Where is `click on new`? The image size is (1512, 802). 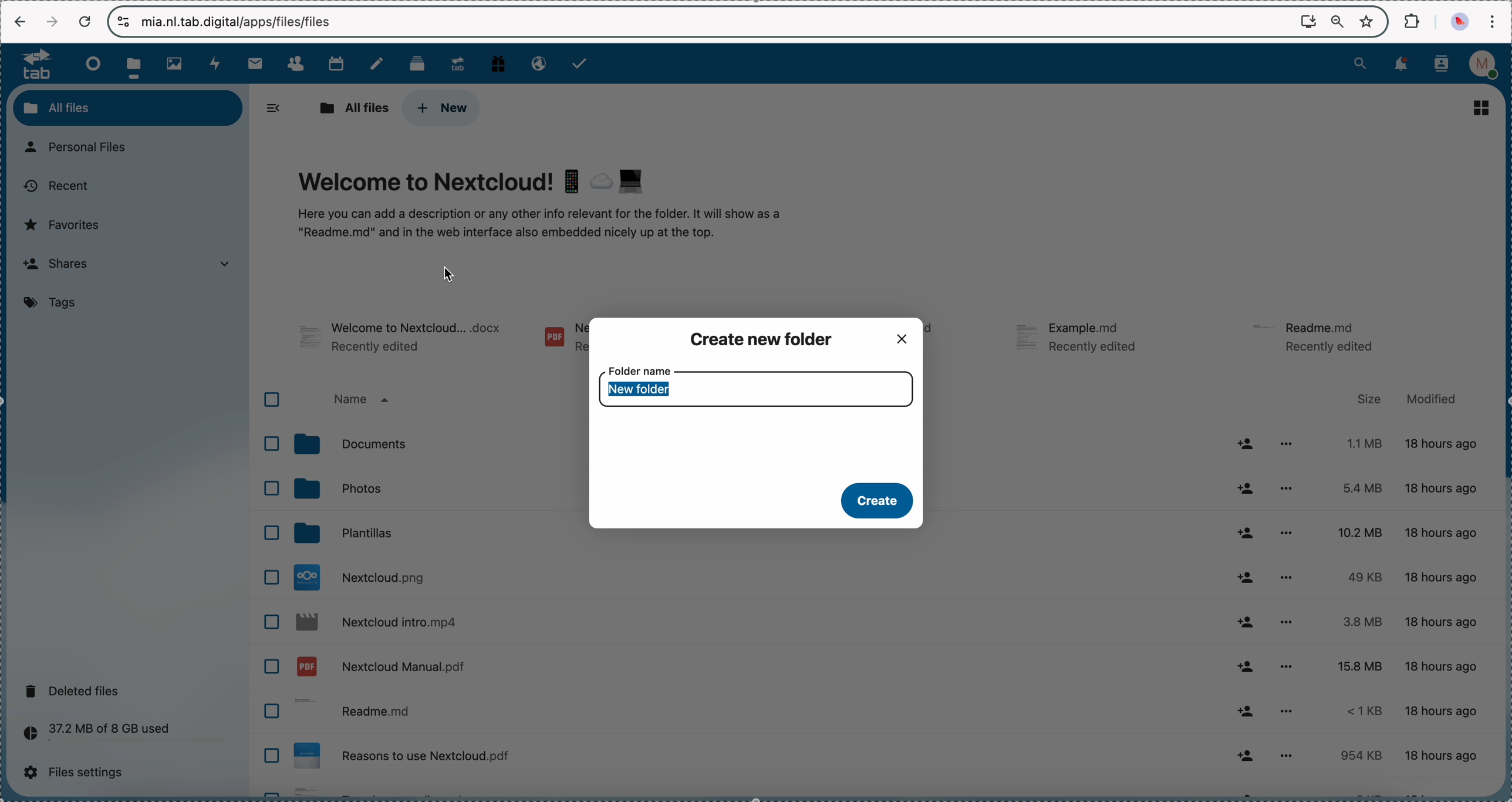 click on new is located at coordinates (440, 108).